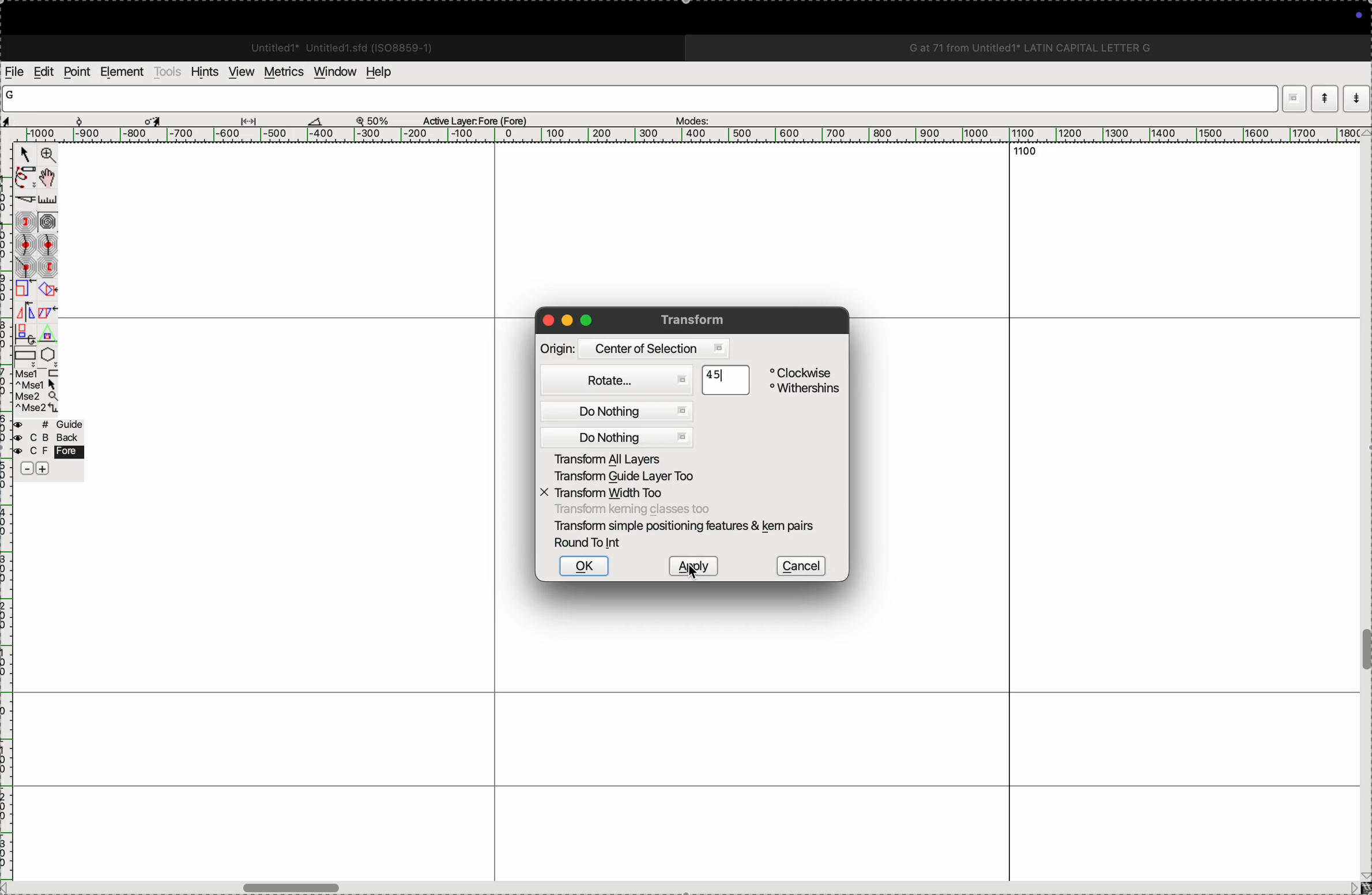 This screenshot has height=895, width=1372. Describe the element at coordinates (27, 468) in the screenshot. I see `decrease` at that location.